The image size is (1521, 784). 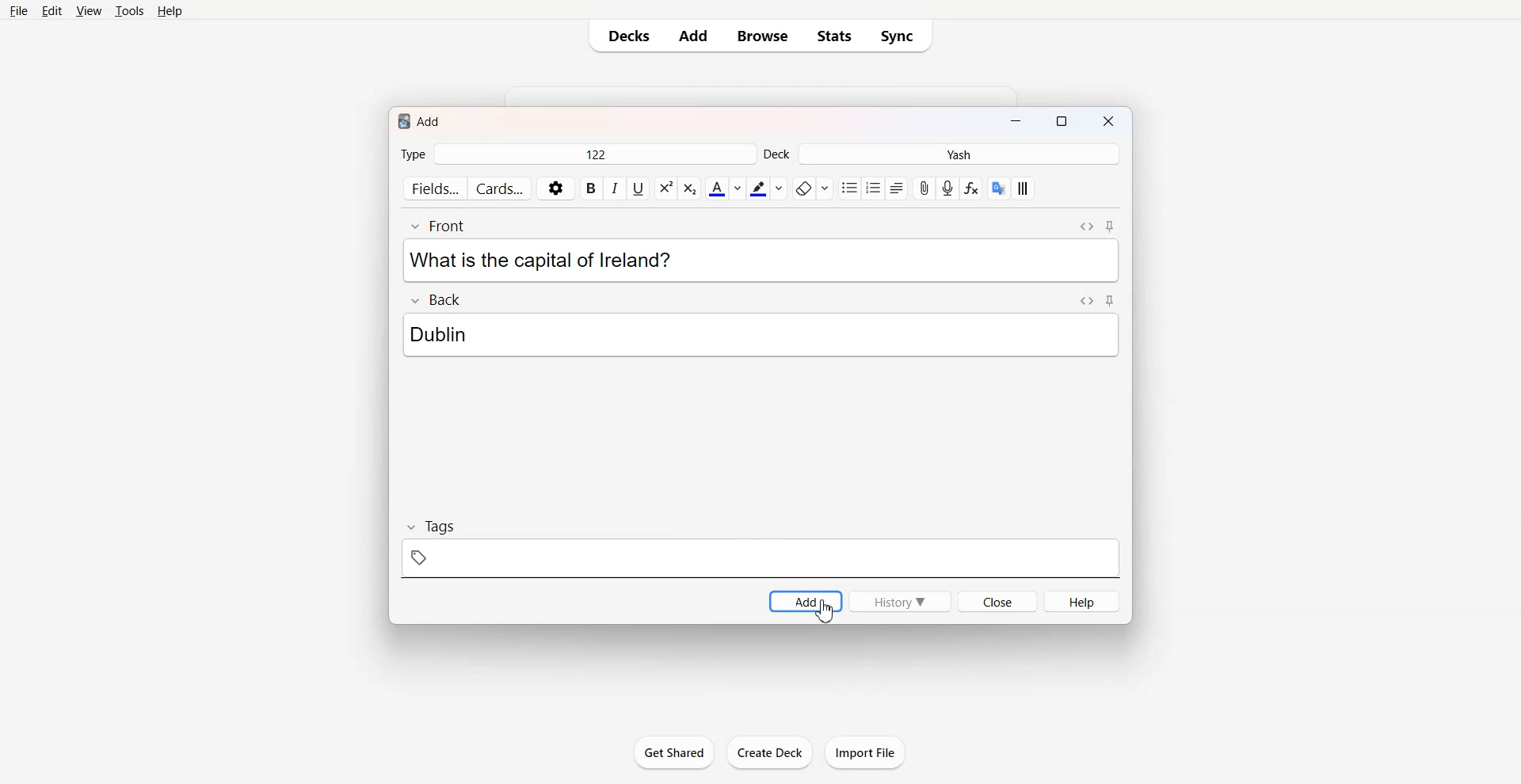 I want to click on History, so click(x=898, y=600).